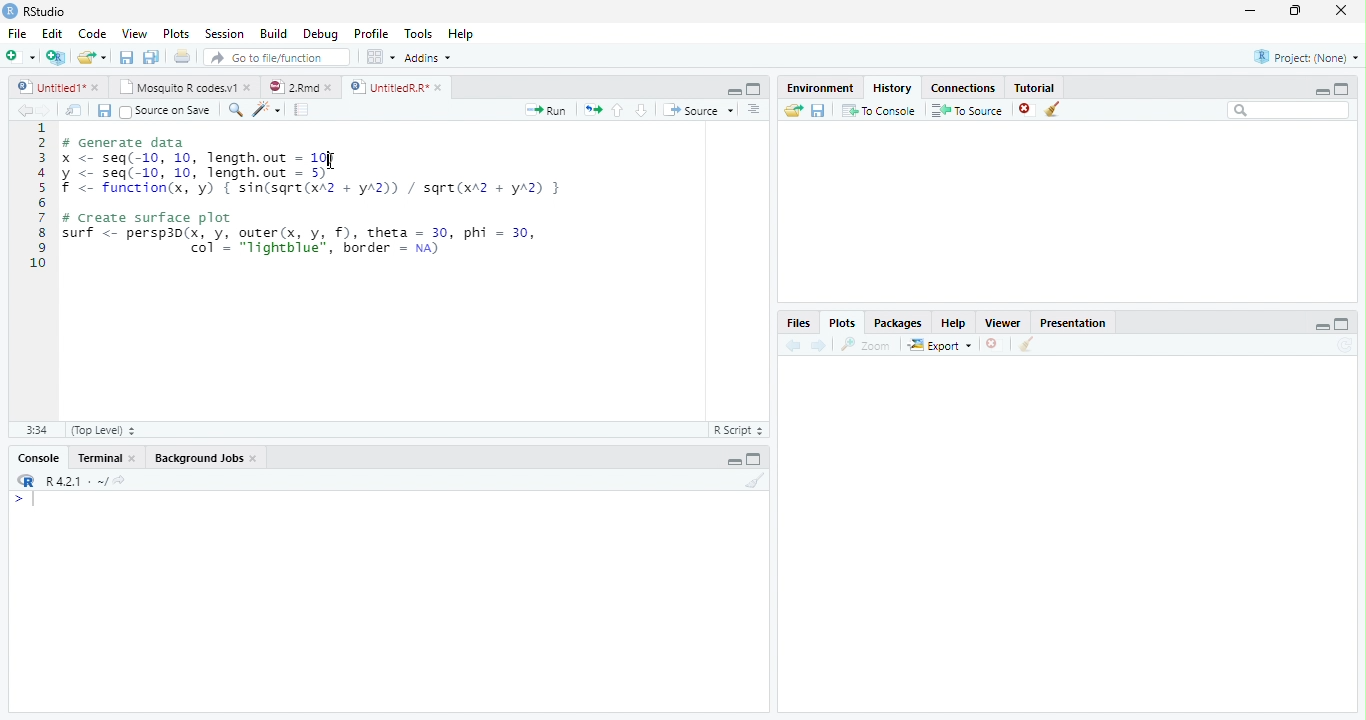 The width and height of the screenshot is (1366, 720). I want to click on Next plot, so click(819, 345).